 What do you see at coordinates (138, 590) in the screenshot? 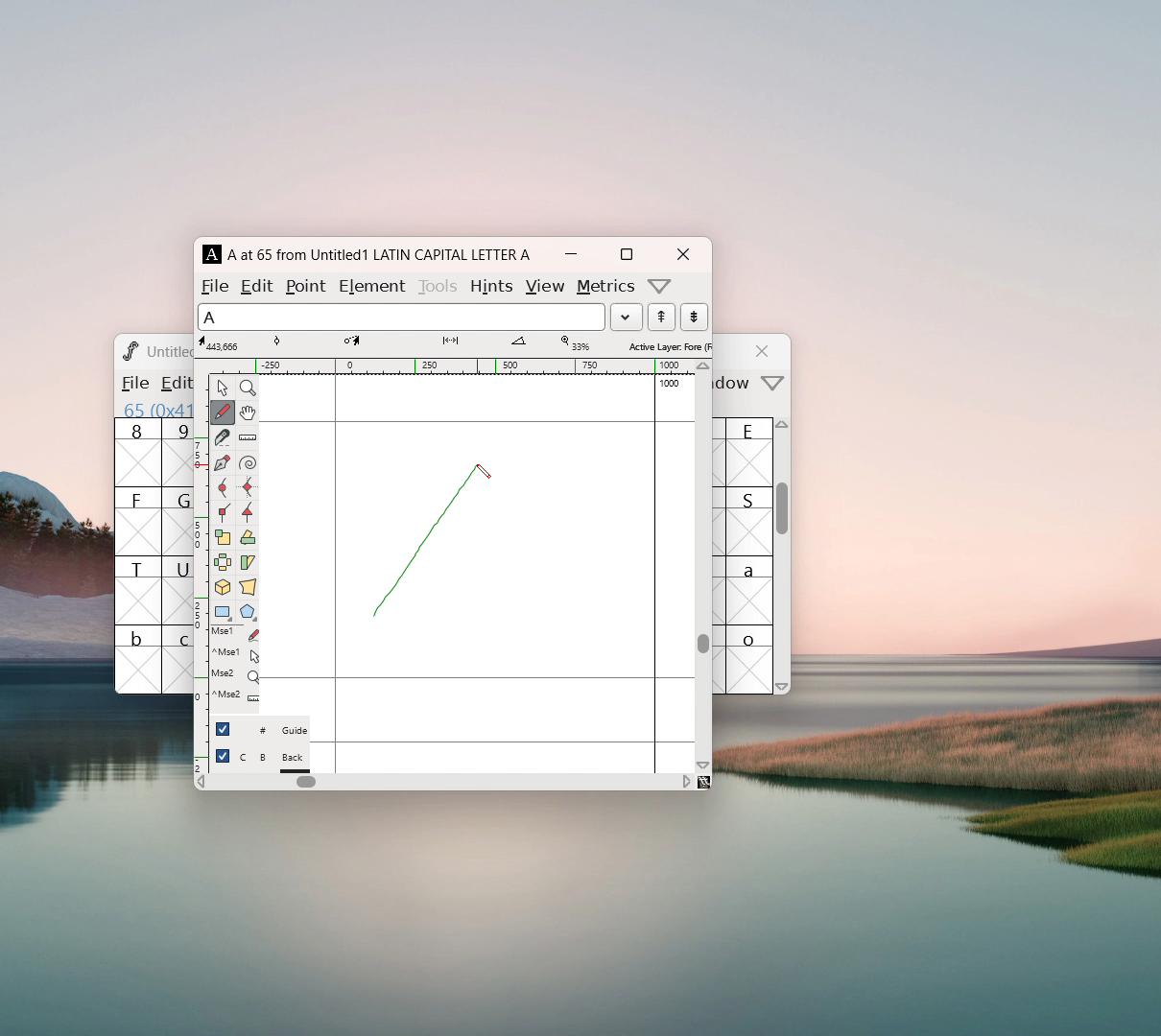
I see `T` at bounding box center [138, 590].